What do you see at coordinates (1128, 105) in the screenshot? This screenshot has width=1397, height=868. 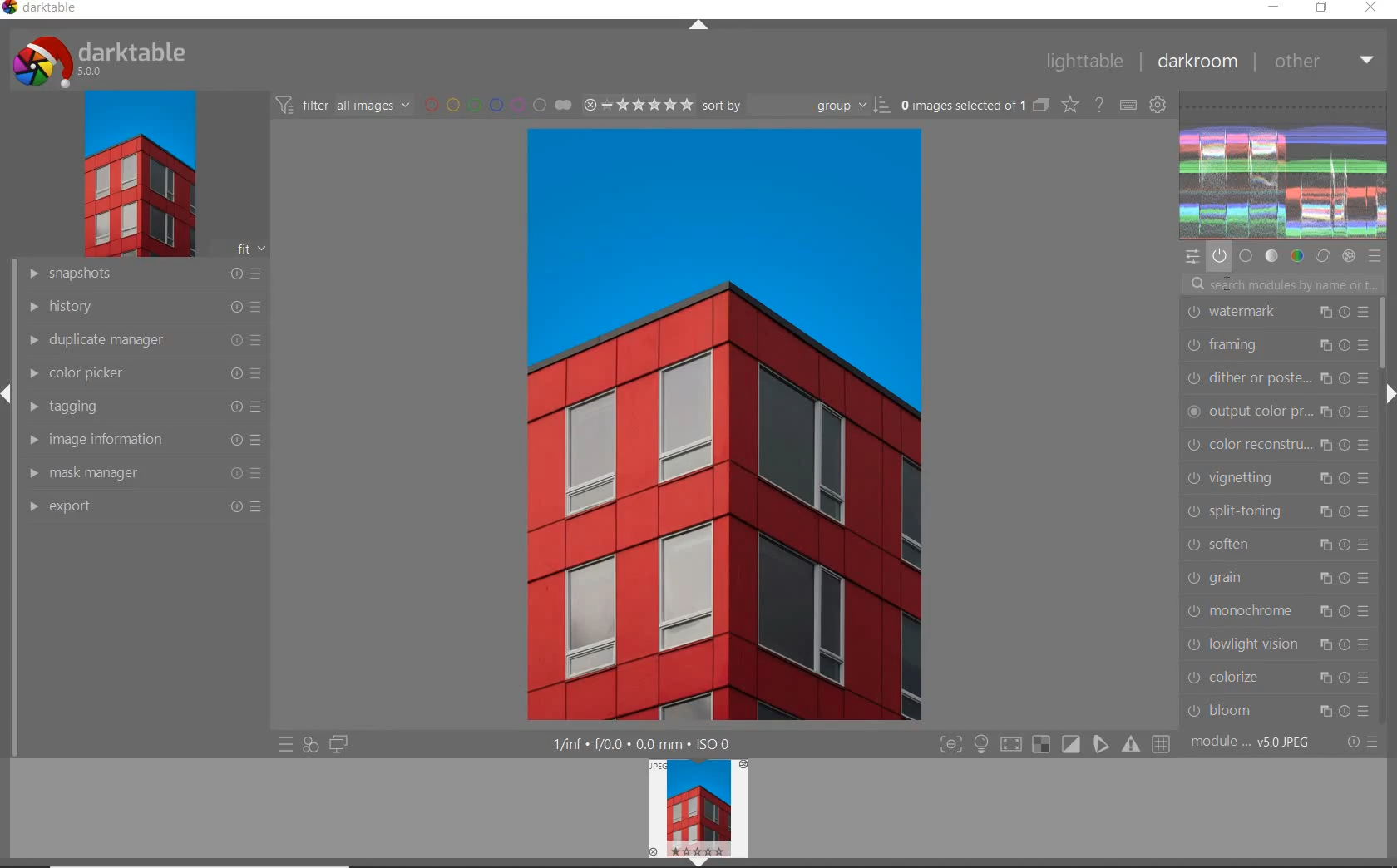 I see `define keyboard shortcut` at bounding box center [1128, 105].